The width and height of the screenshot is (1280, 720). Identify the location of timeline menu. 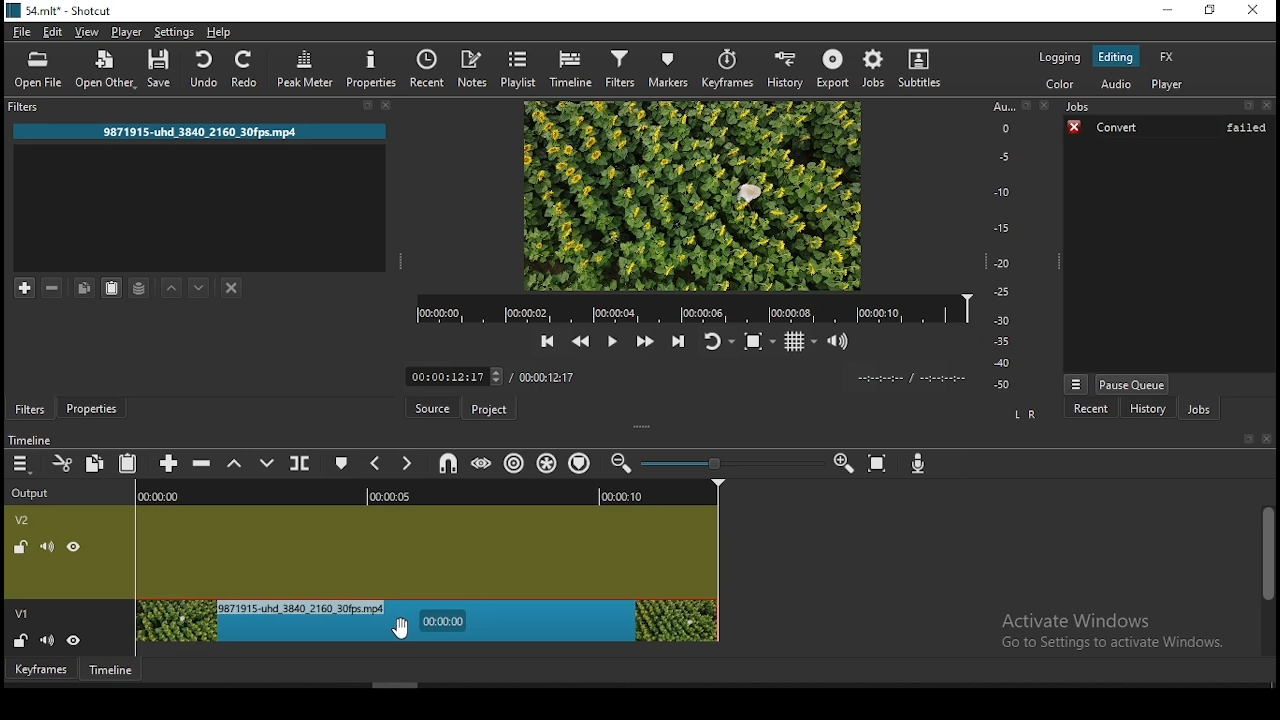
(21, 465).